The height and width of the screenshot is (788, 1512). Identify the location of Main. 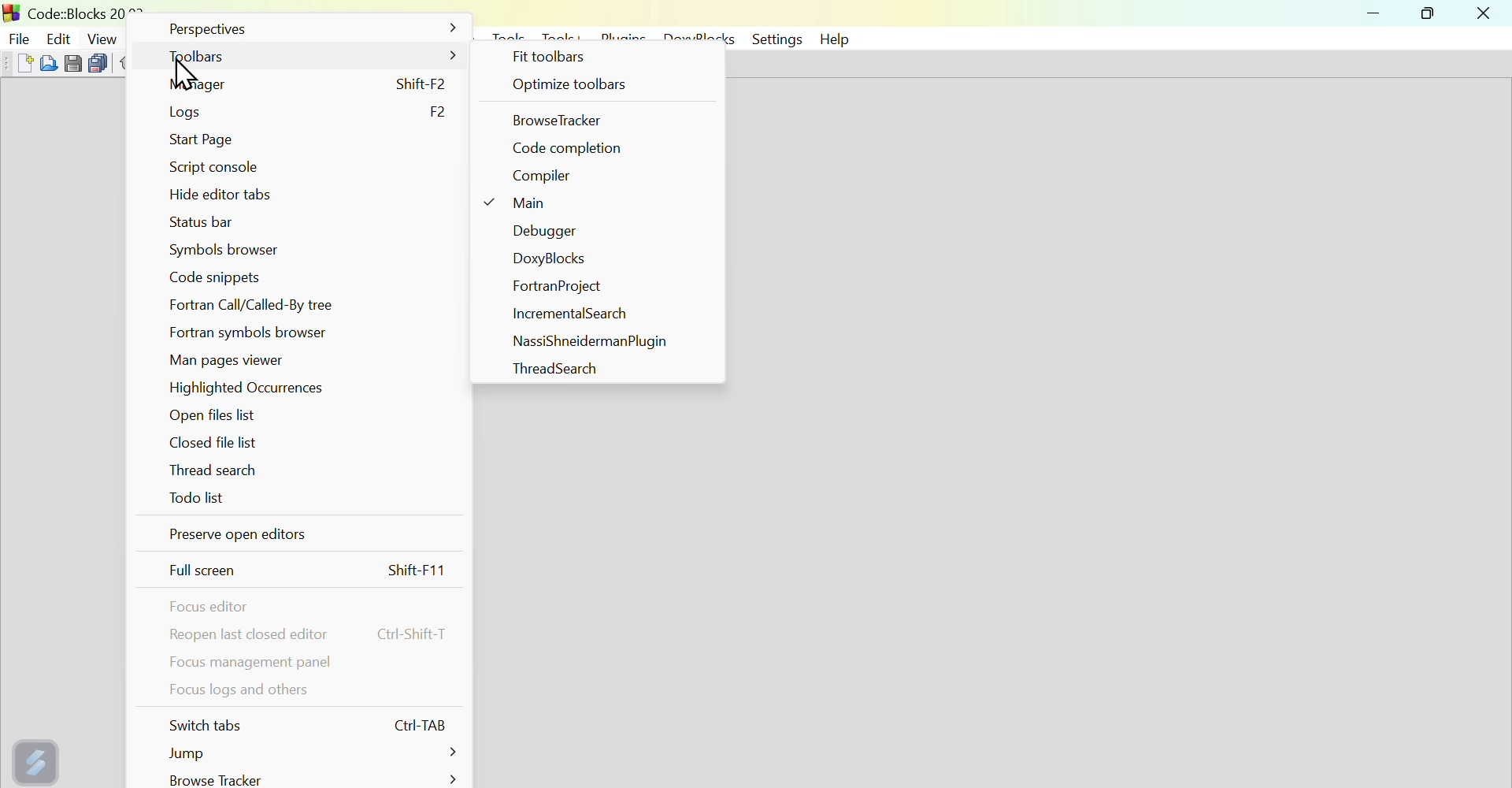
(524, 206).